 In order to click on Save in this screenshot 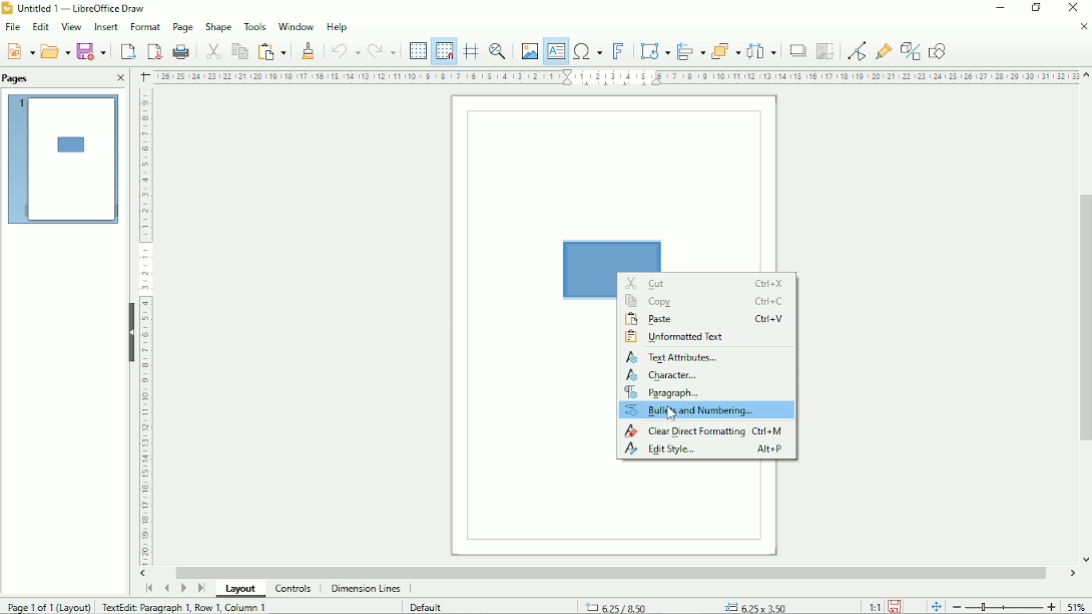, I will do `click(20, 51)`.